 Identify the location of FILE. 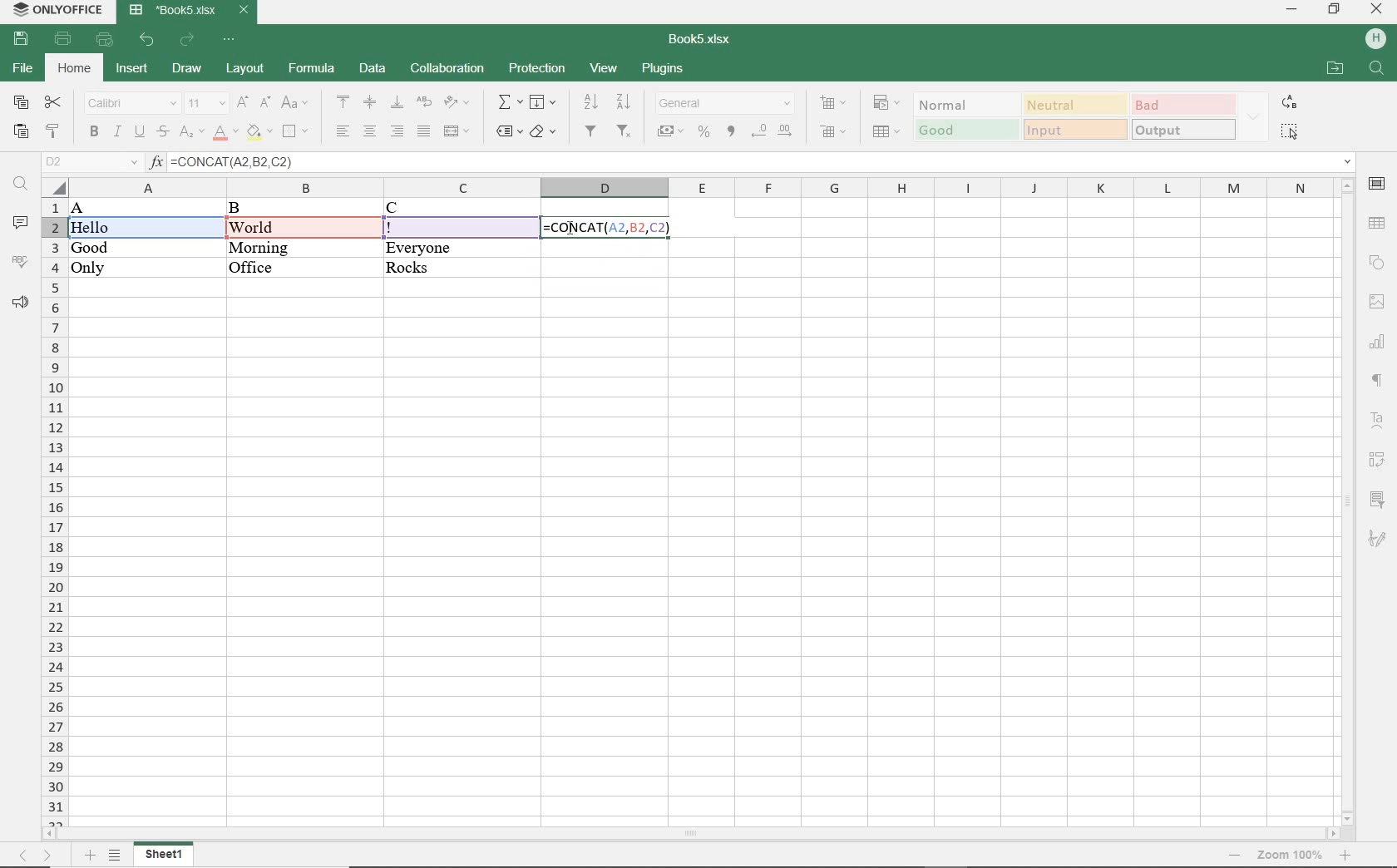
(24, 70).